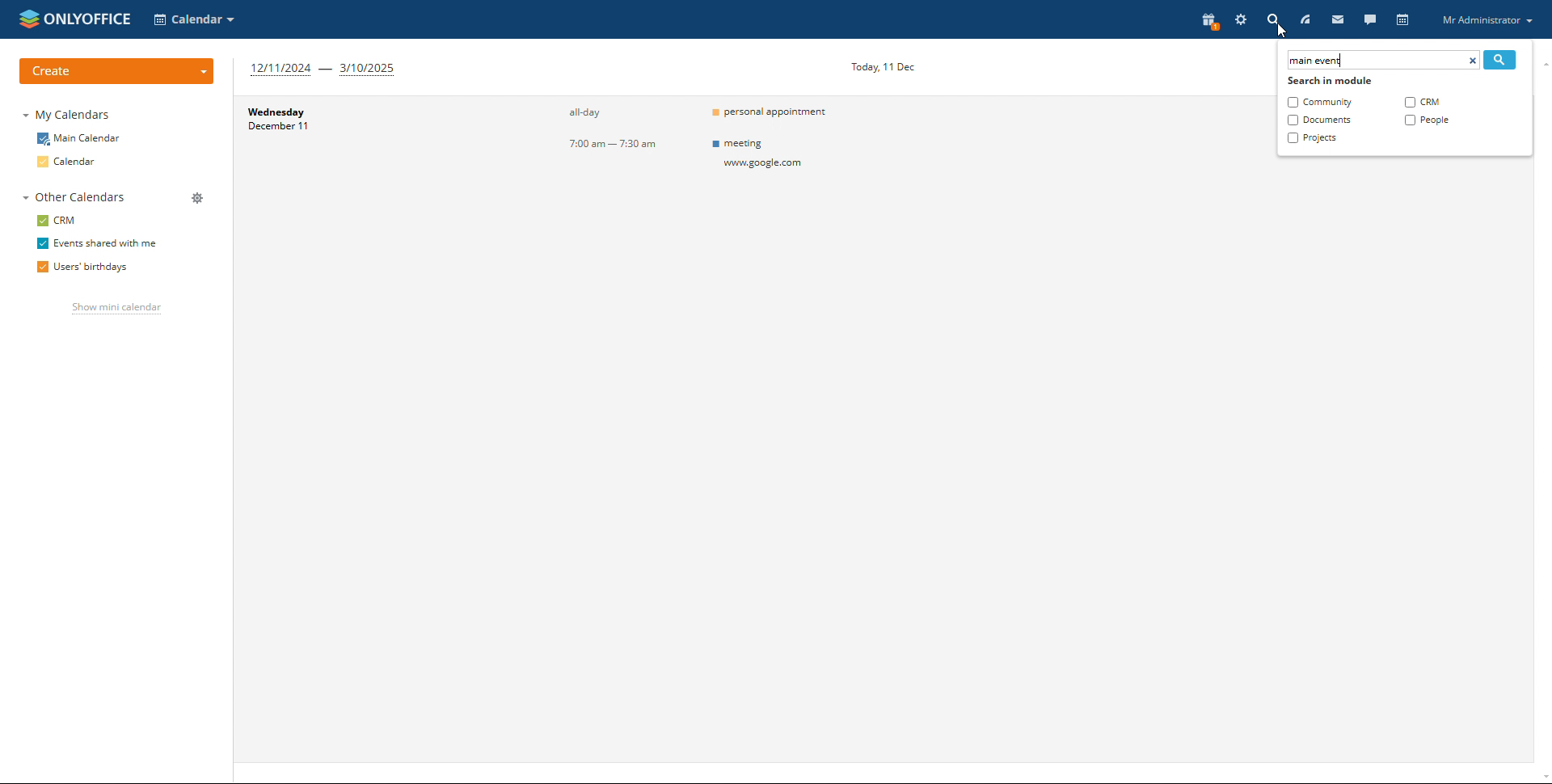 This screenshot has width=1552, height=784. Describe the element at coordinates (1305, 20) in the screenshot. I see `feed` at that location.